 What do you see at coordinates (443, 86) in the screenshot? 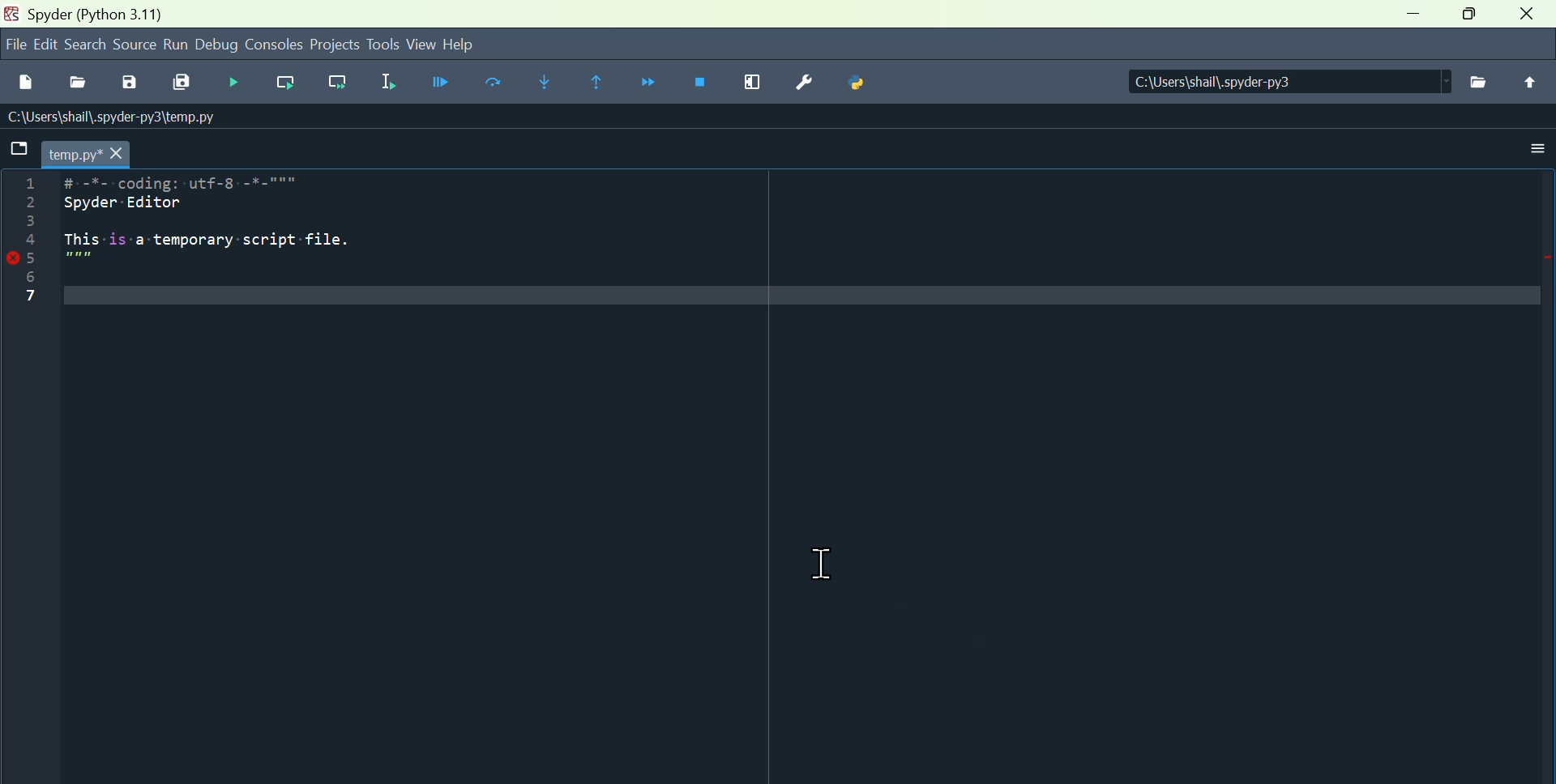
I see `Run file` at bounding box center [443, 86].